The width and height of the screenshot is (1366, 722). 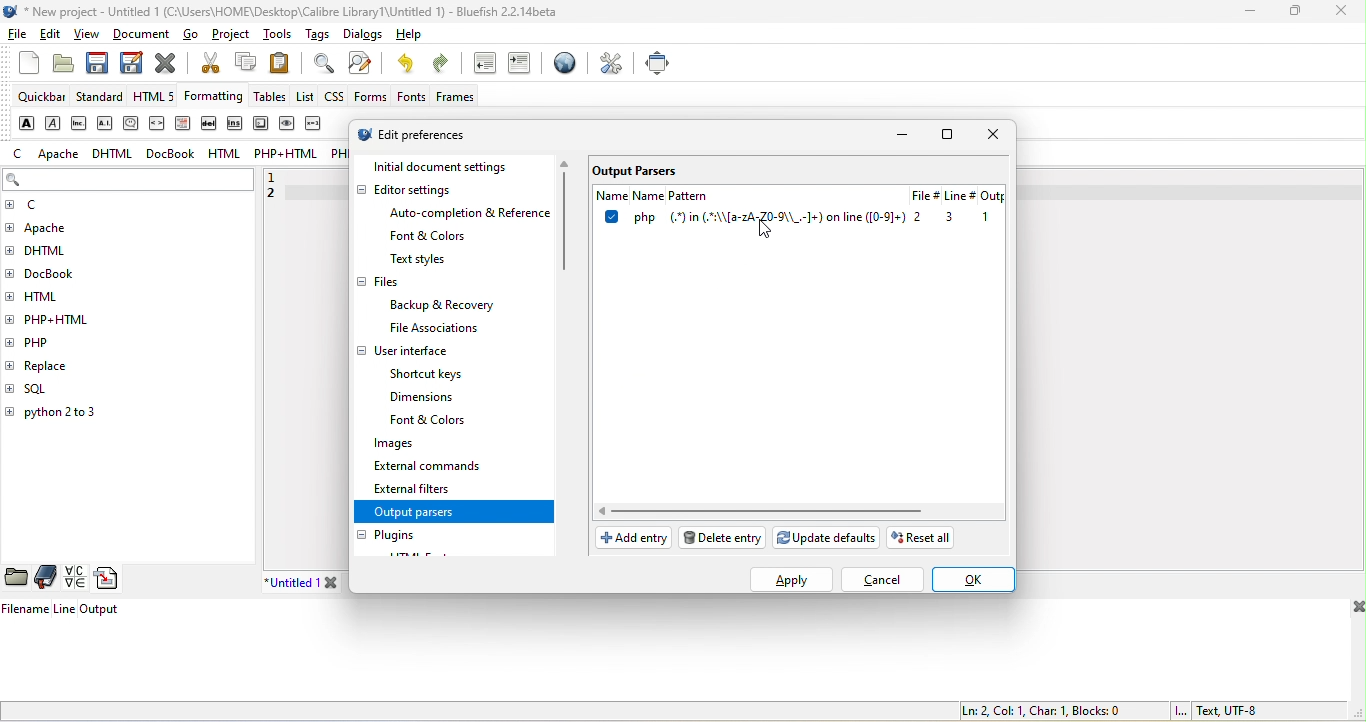 I want to click on forms, so click(x=370, y=96).